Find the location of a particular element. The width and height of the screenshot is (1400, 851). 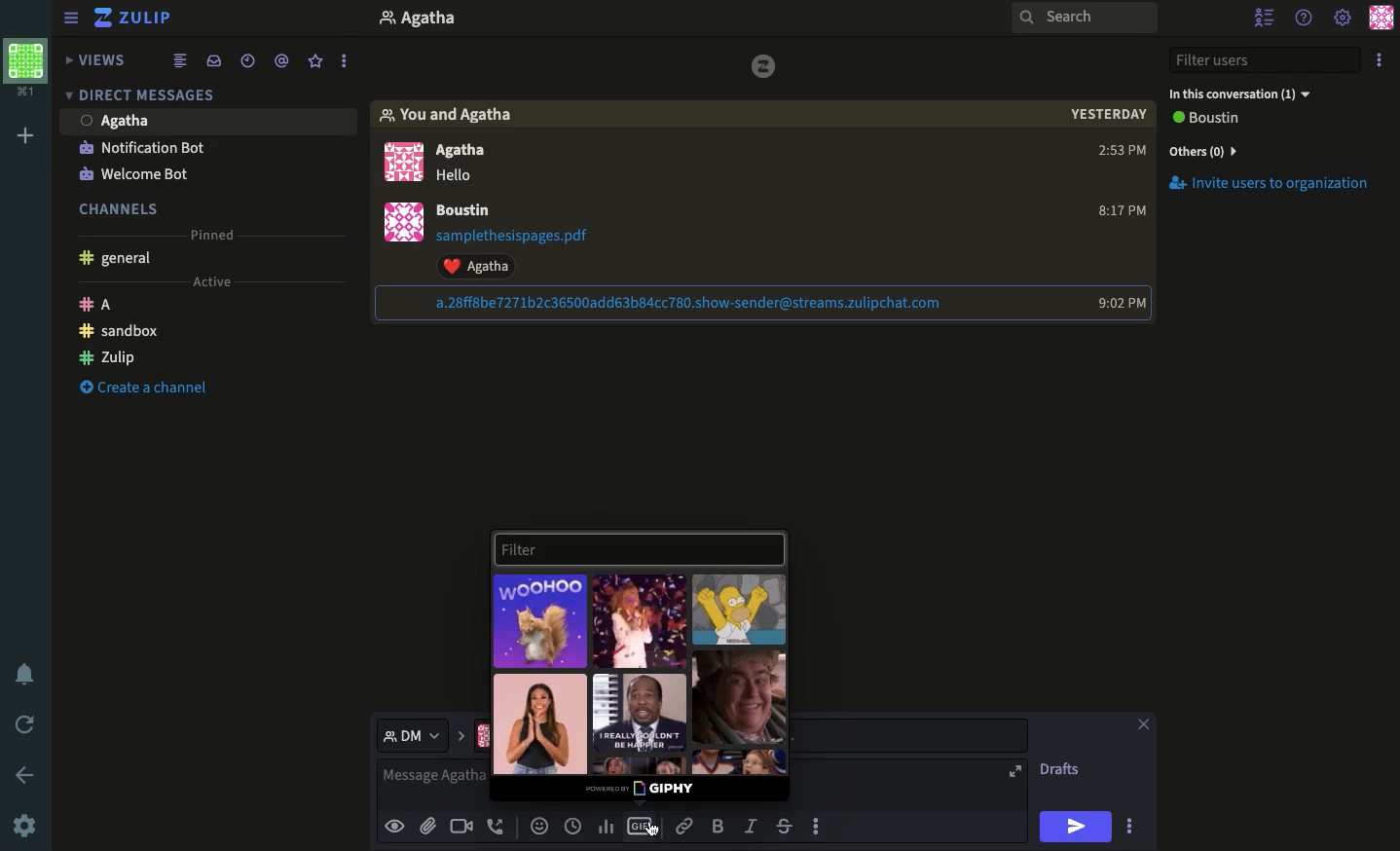

Refresh is located at coordinates (24, 723).